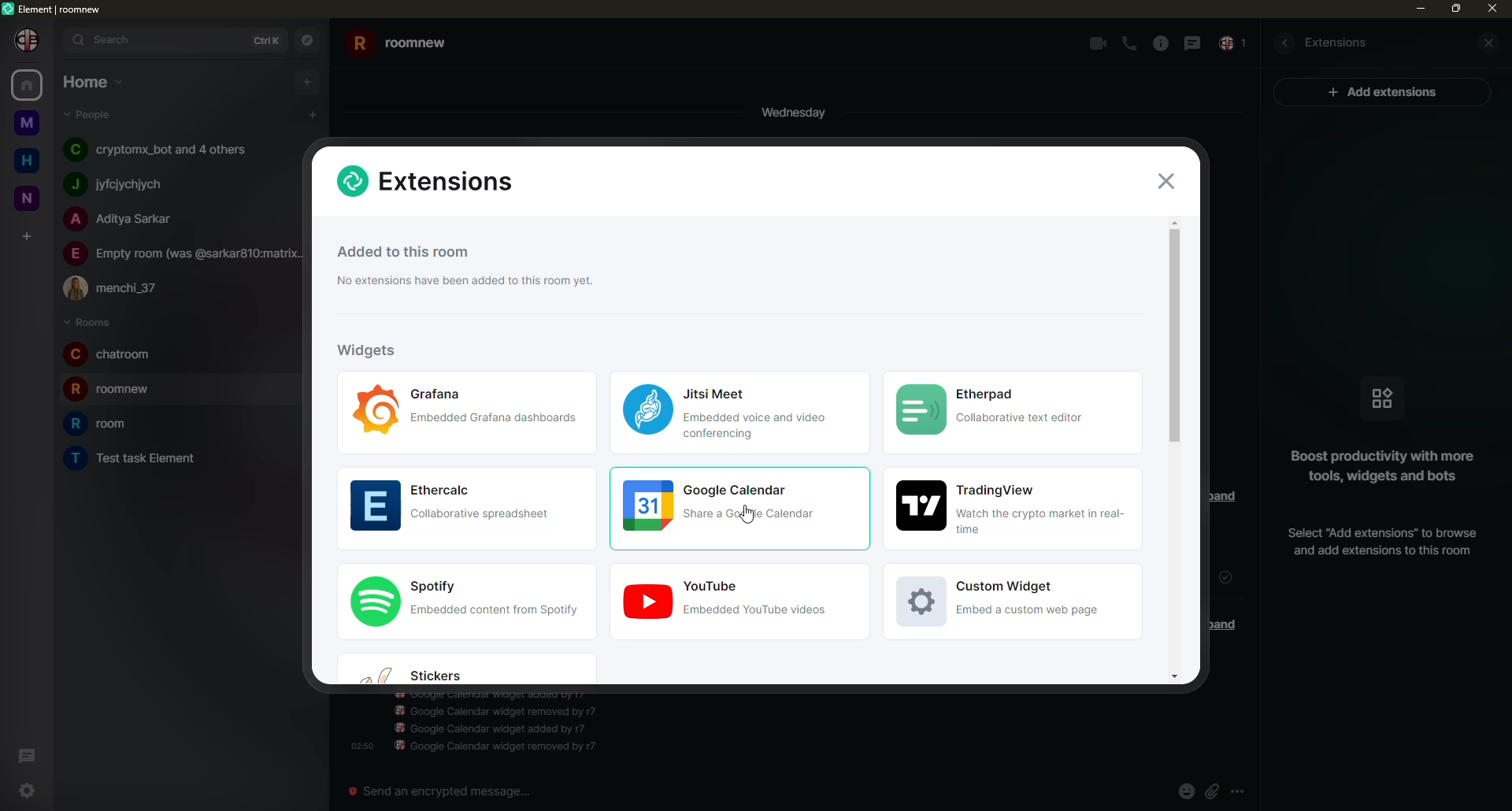 The height and width of the screenshot is (811, 1512). What do you see at coordinates (787, 111) in the screenshot?
I see `day` at bounding box center [787, 111].